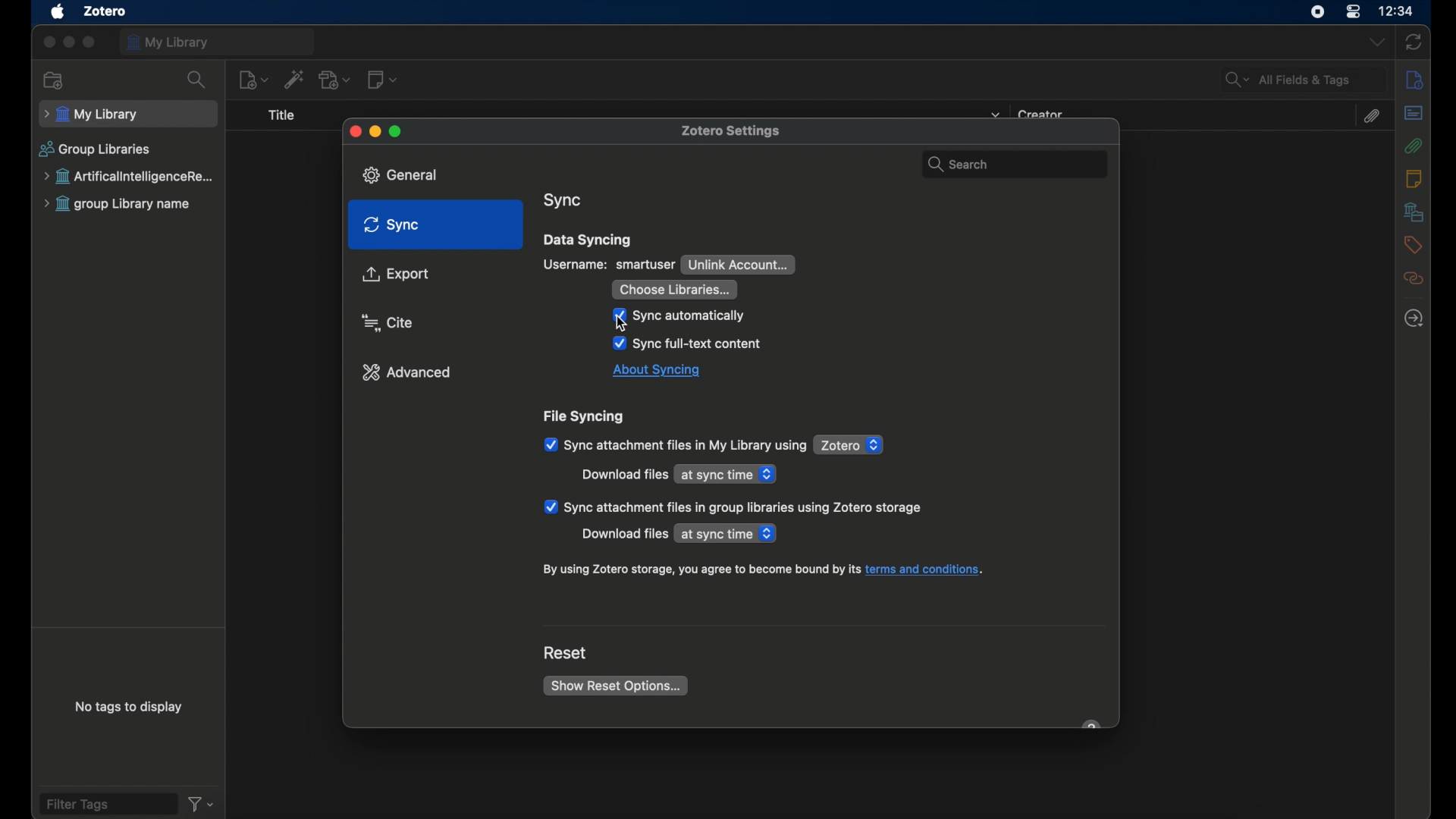 This screenshot has height=819, width=1456. What do you see at coordinates (1397, 11) in the screenshot?
I see `time` at bounding box center [1397, 11].